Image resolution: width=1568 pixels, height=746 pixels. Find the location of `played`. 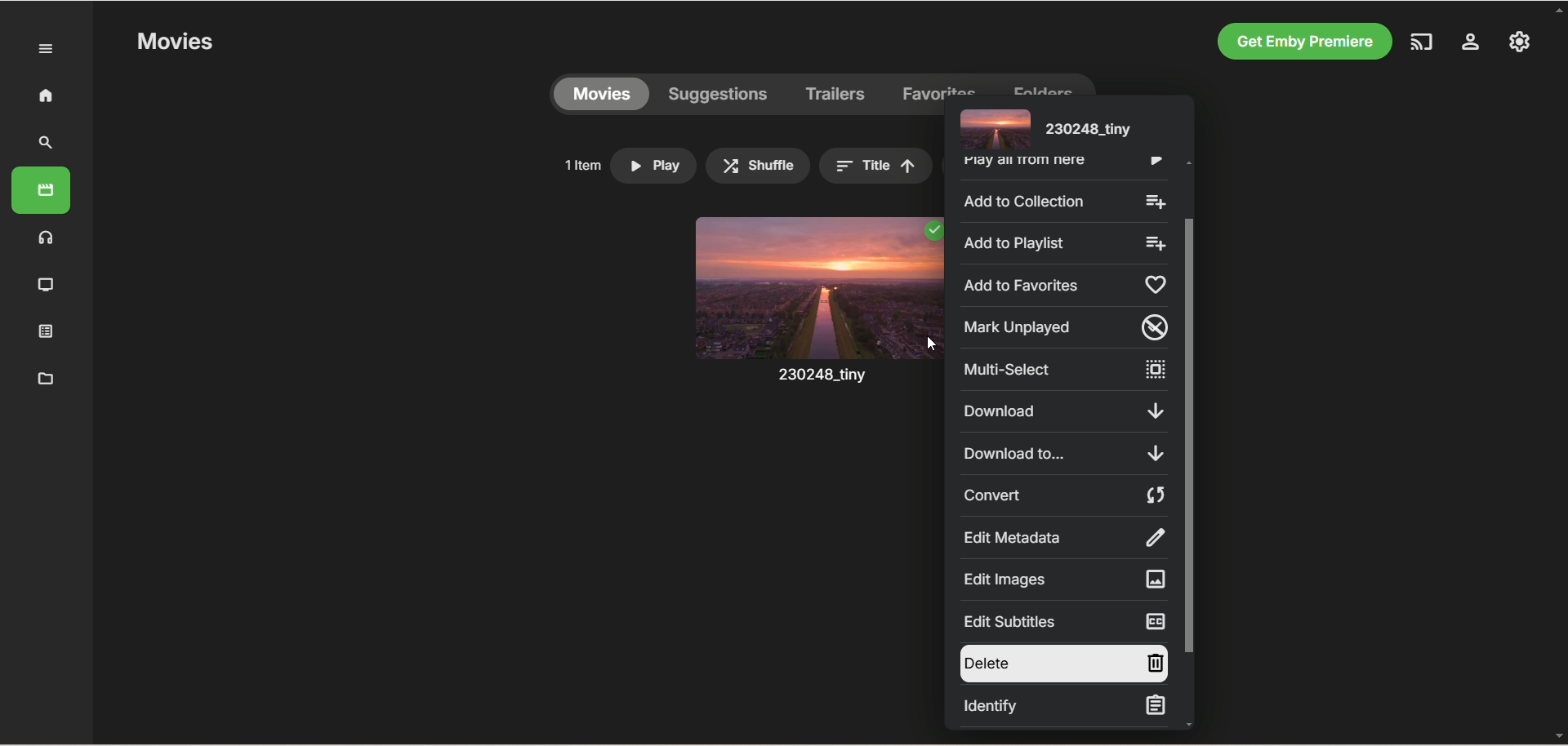

played is located at coordinates (932, 231).